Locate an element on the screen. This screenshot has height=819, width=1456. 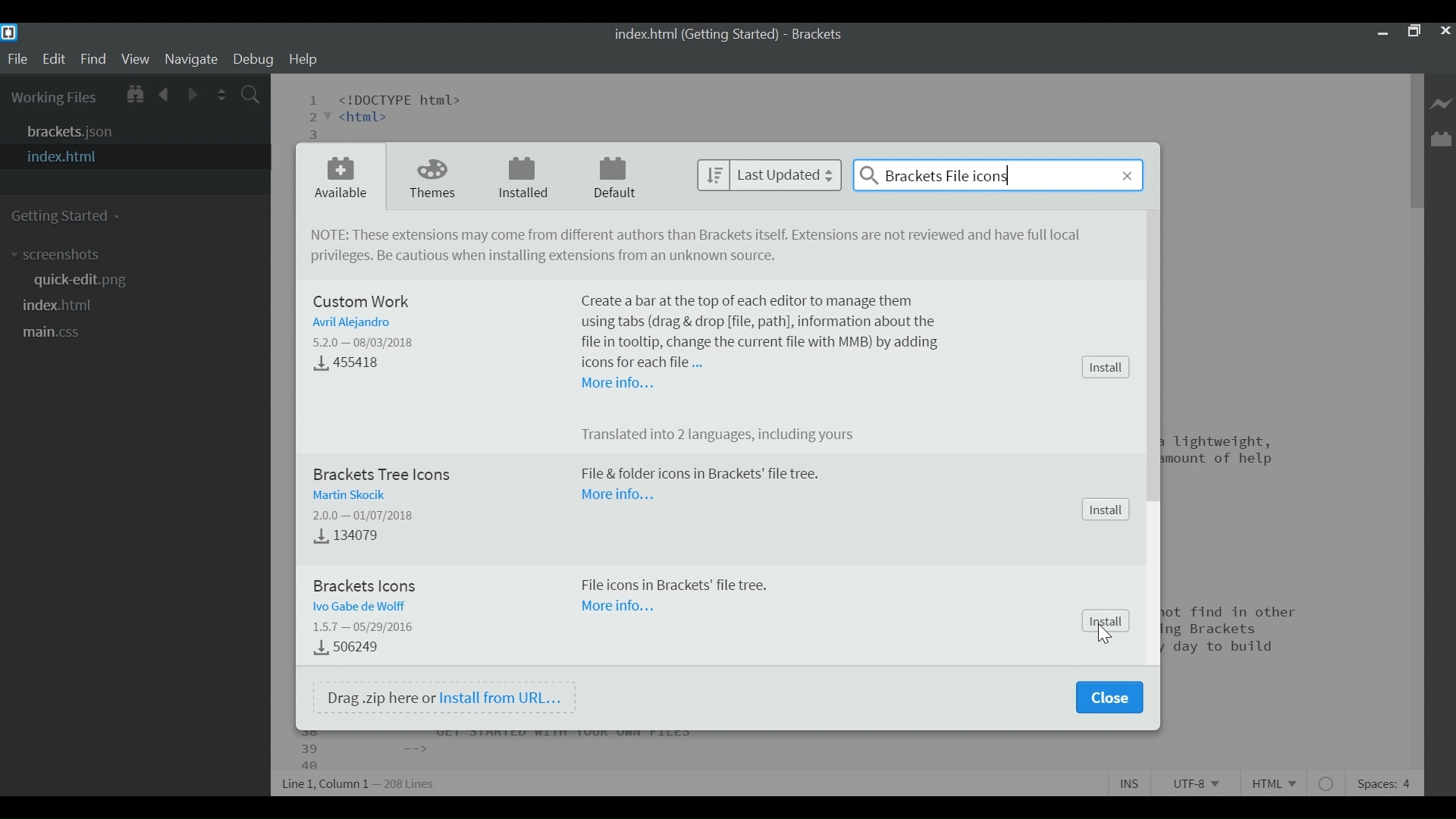
Edit is located at coordinates (54, 59).